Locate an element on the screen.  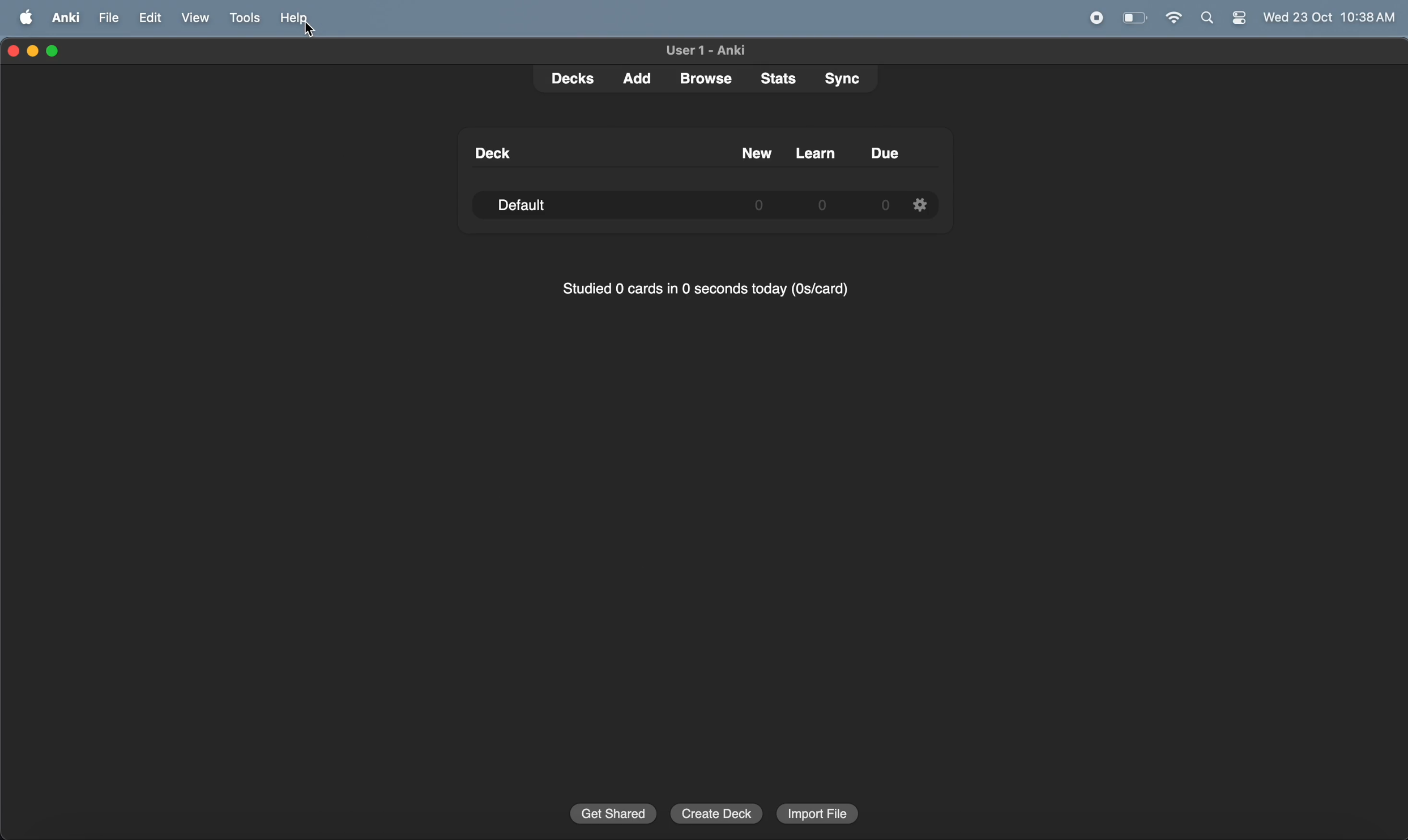
view is located at coordinates (191, 19).